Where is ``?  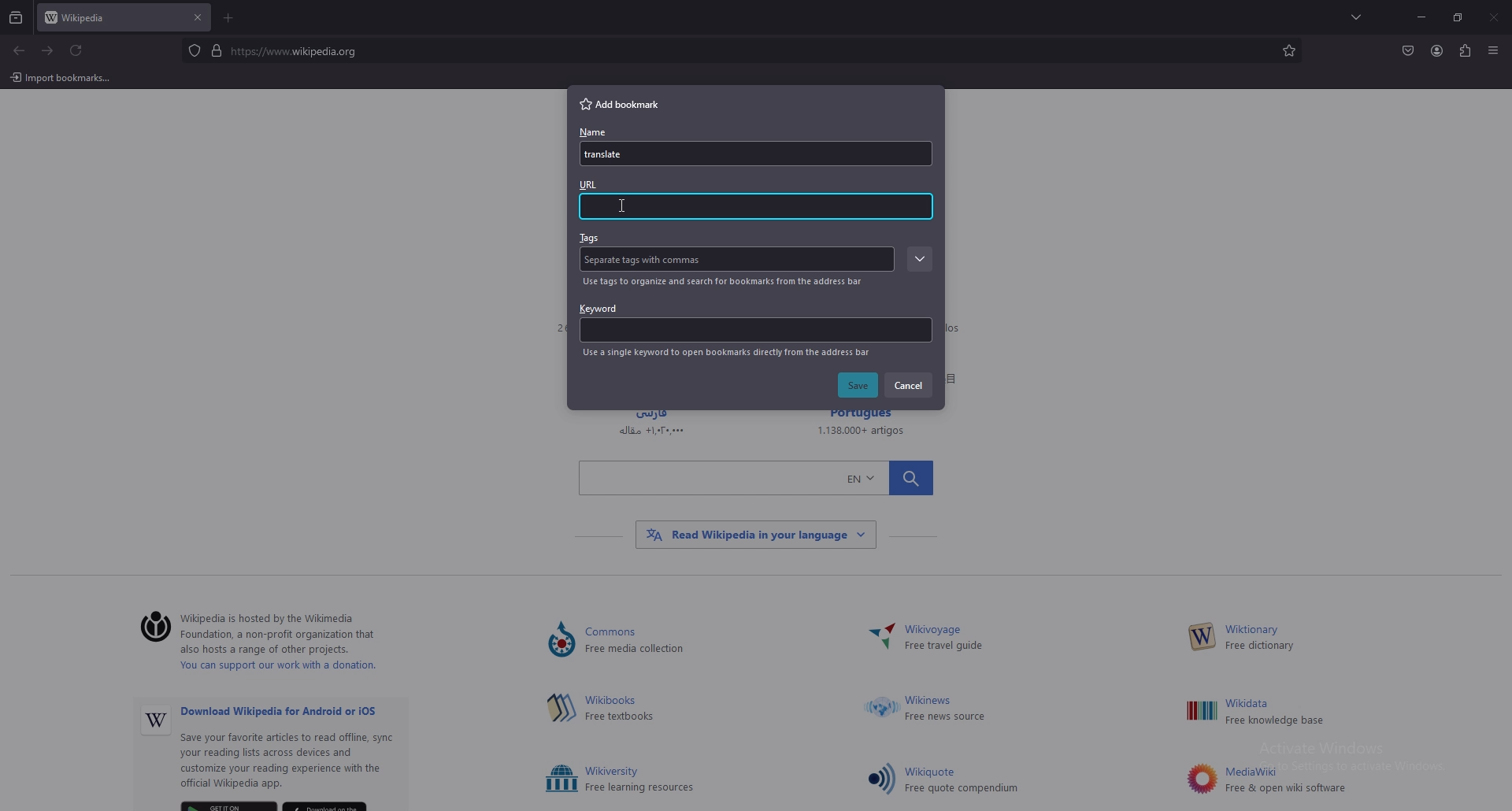
 is located at coordinates (1493, 53).